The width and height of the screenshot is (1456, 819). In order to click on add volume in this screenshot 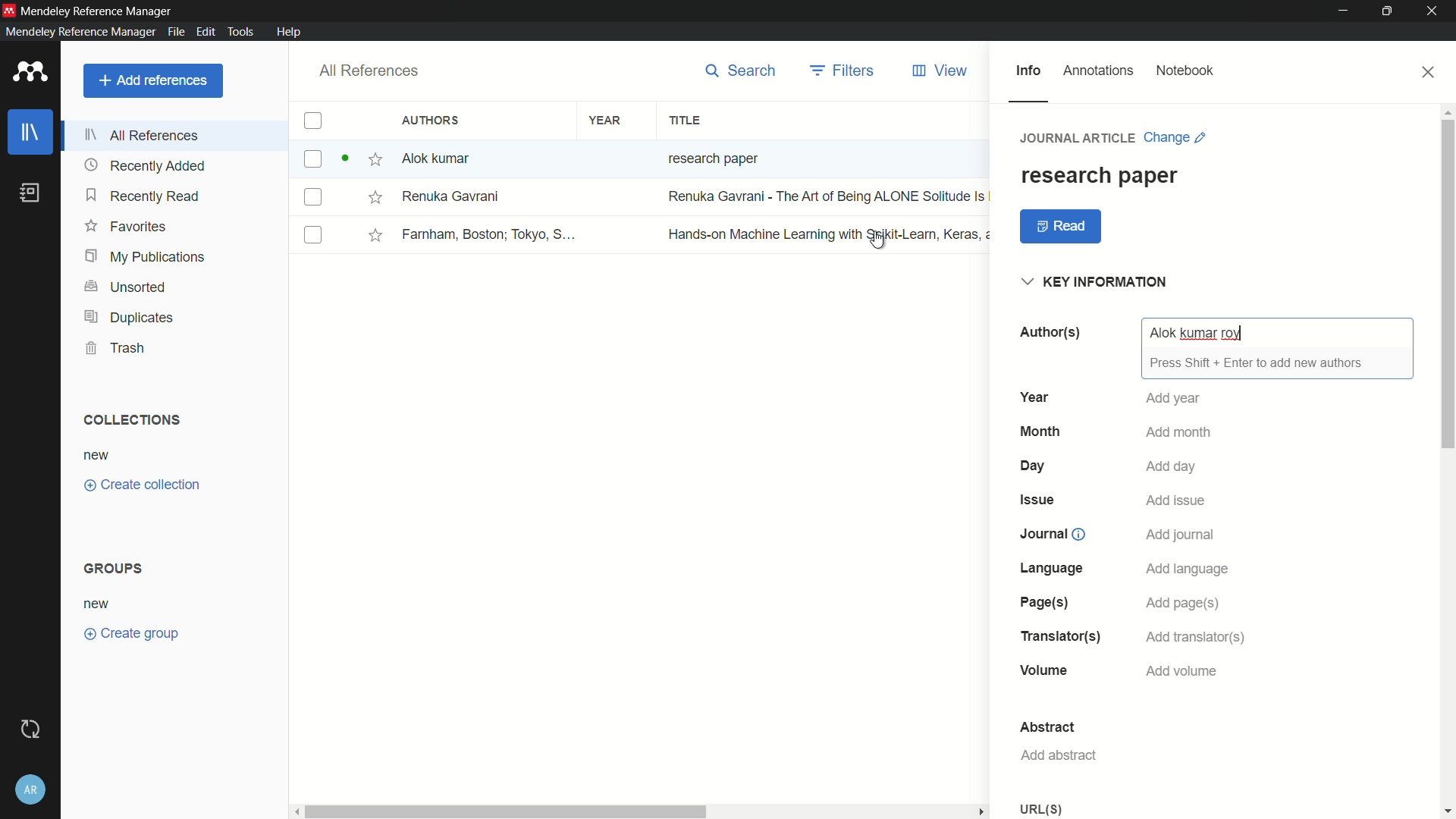, I will do `click(1184, 672)`.